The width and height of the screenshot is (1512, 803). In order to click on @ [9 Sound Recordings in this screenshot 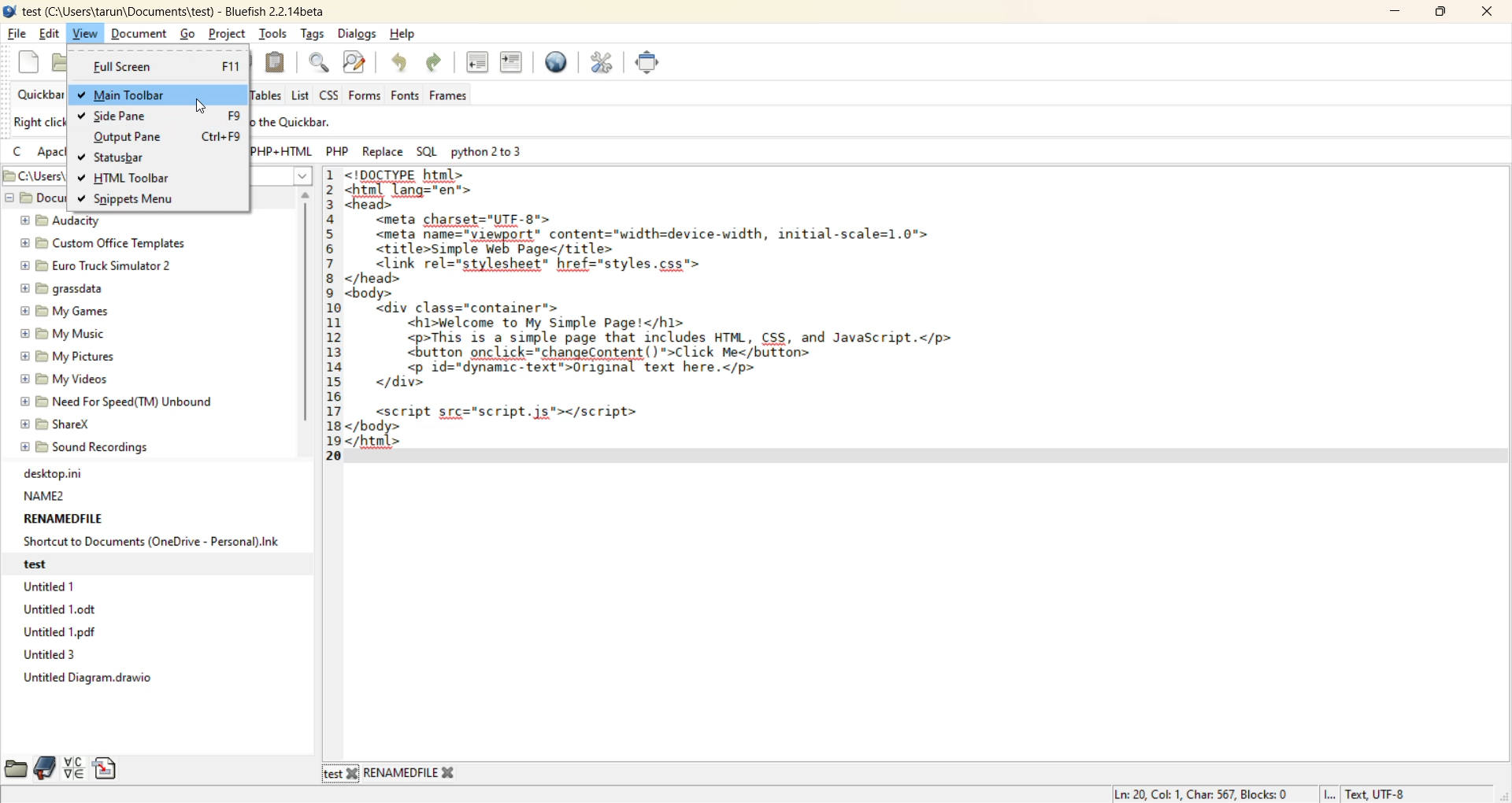, I will do `click(86, 450)`.